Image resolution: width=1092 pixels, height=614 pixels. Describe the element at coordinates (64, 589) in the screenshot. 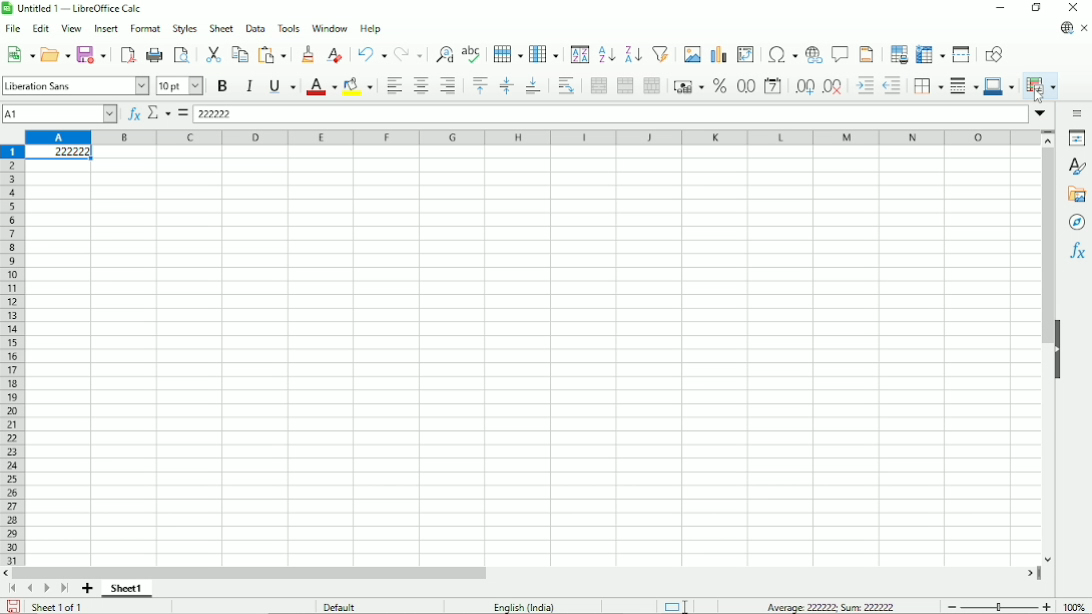

I see `Scroll to last sheet` at that location.